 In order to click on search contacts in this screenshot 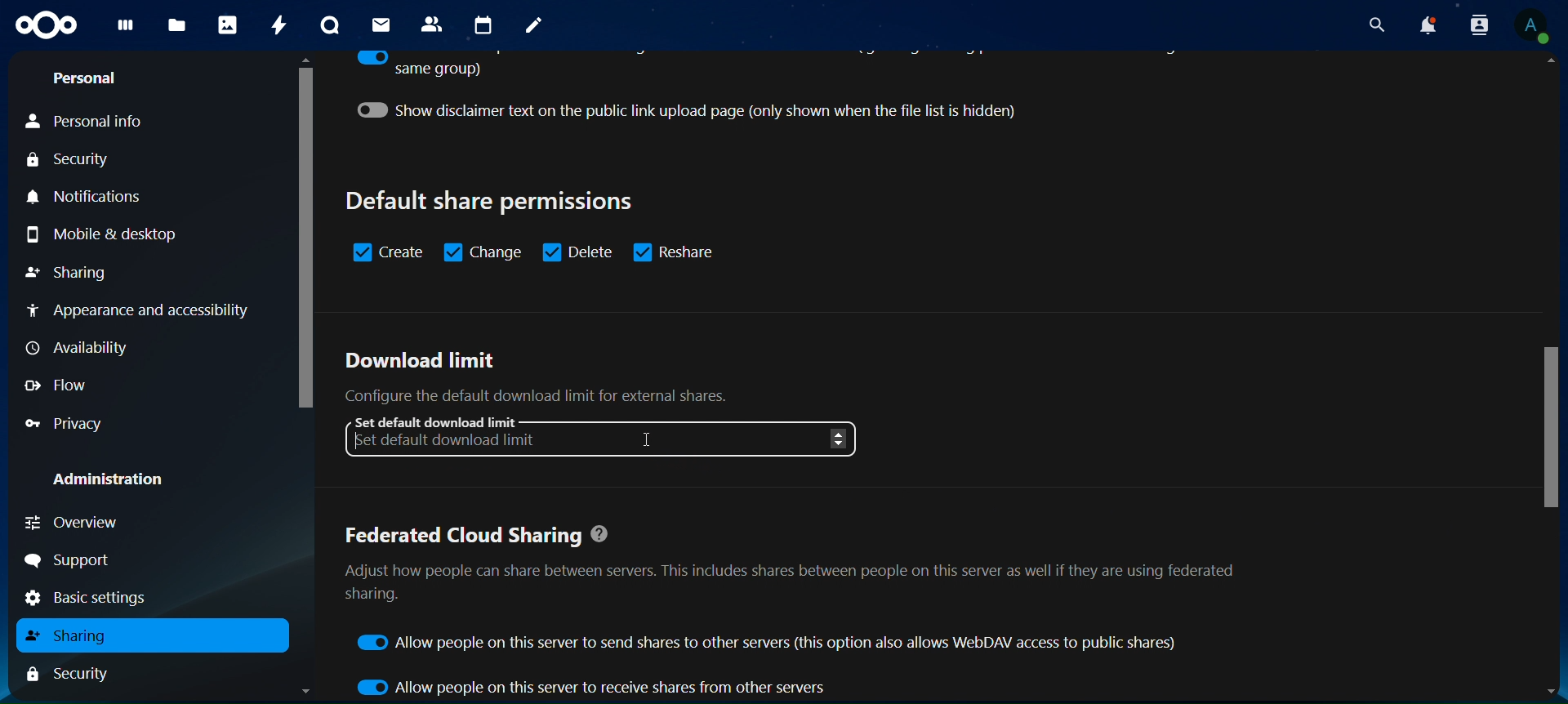, I will do `click(1478, 25)`.